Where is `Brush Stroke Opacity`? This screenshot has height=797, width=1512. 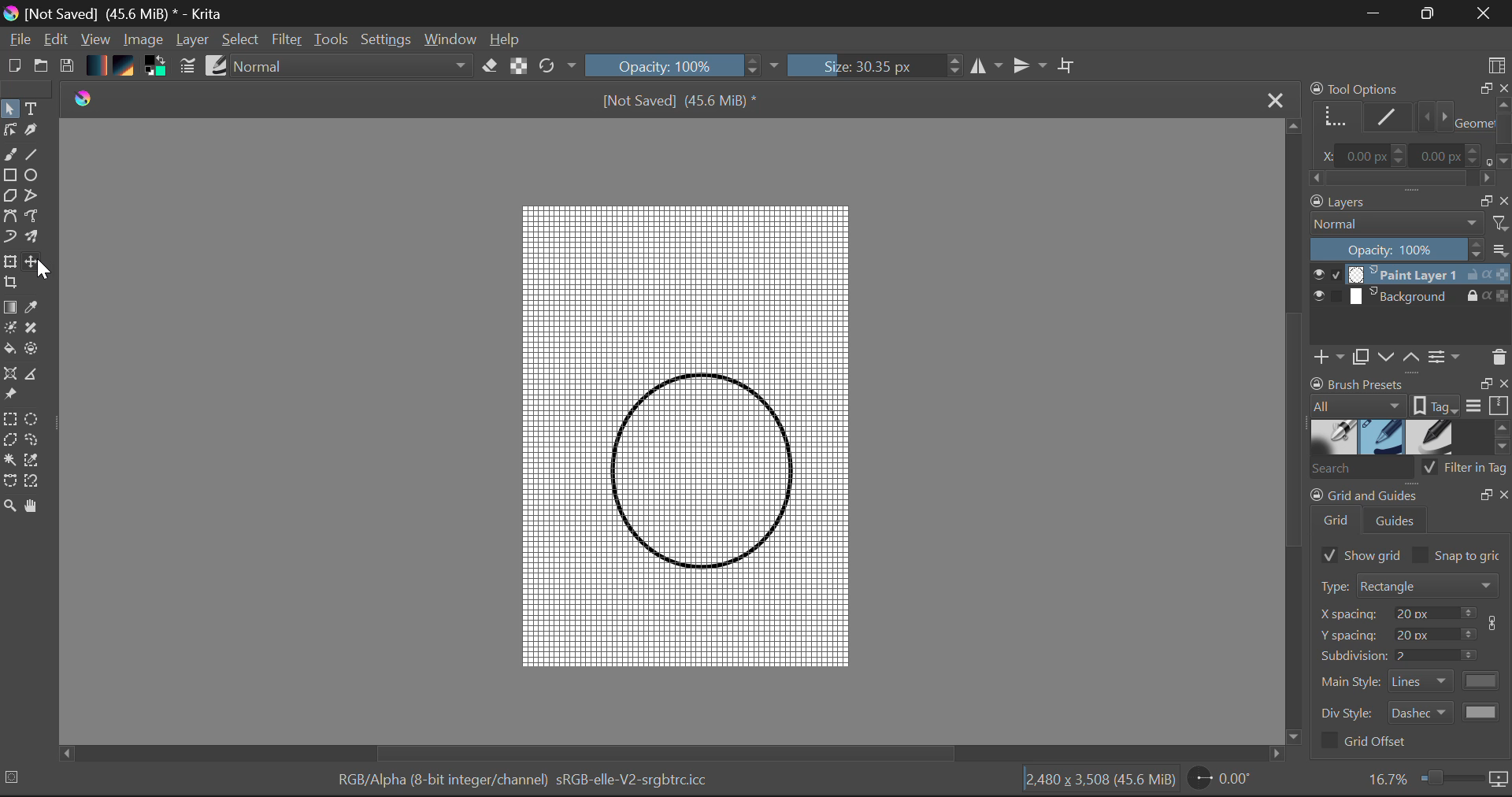 Brush Stroke Opacity is located at coordinates (677, 65).